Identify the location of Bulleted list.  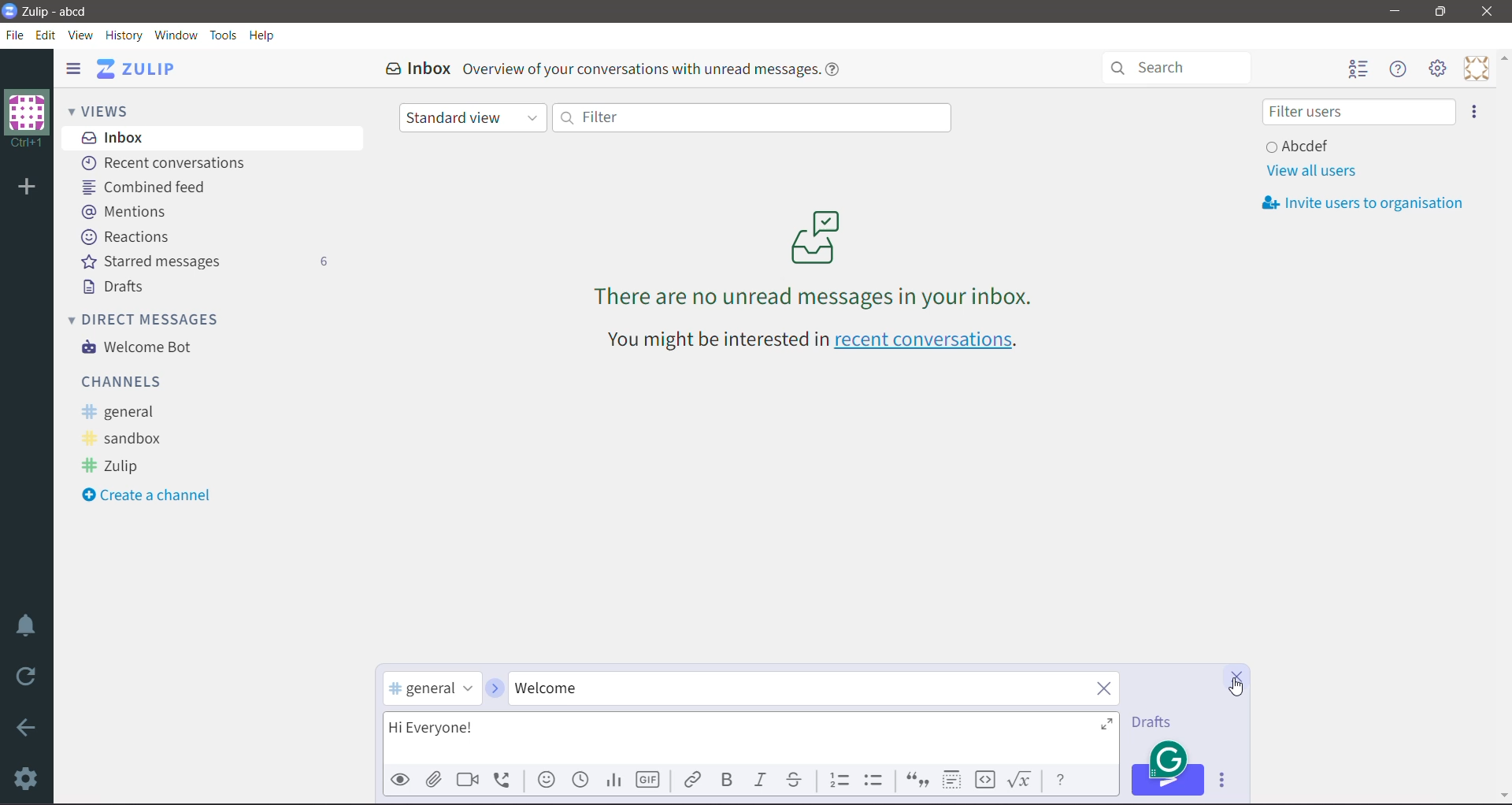
(877, 780).